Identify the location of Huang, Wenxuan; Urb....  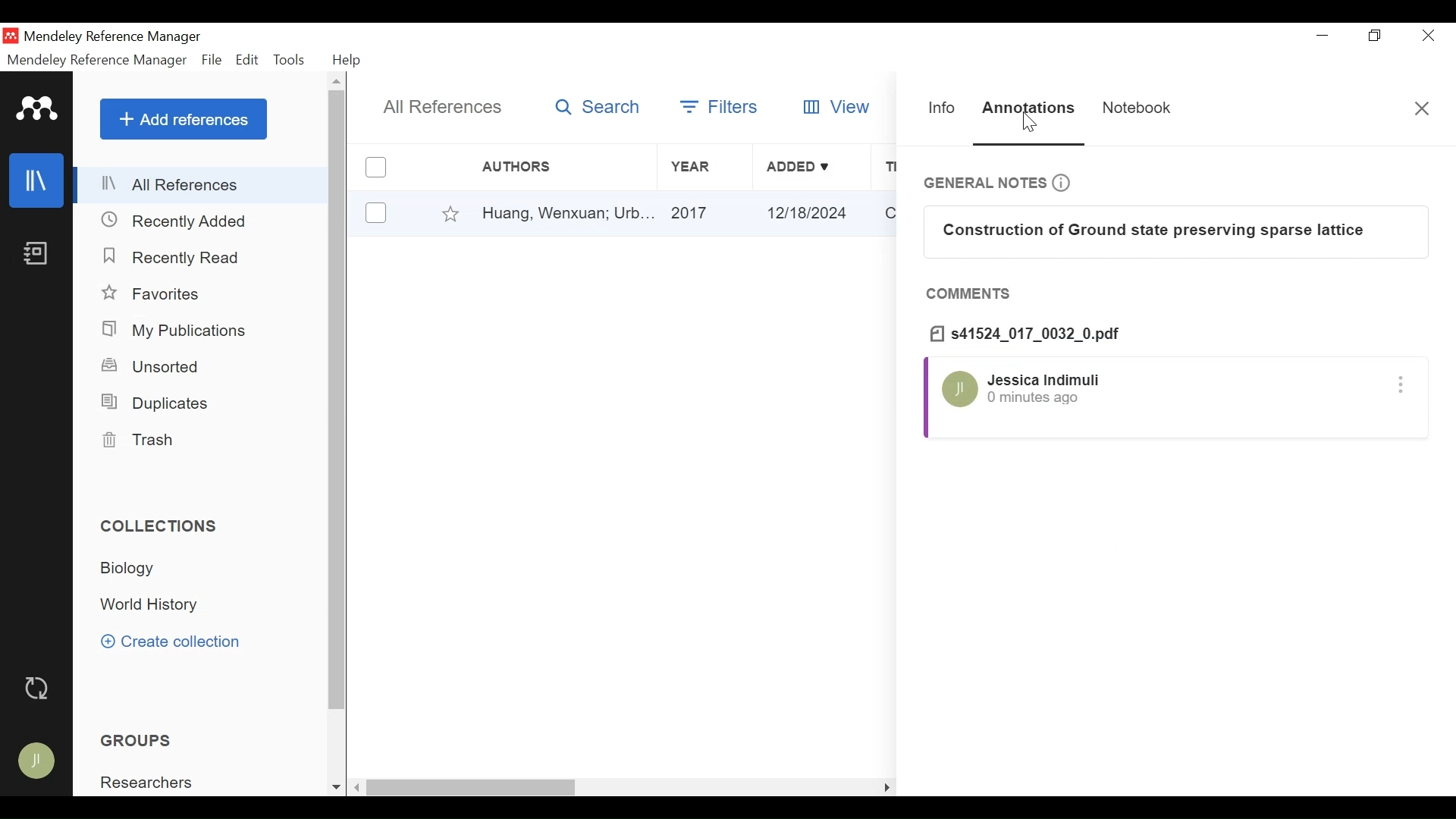
(566, 213).